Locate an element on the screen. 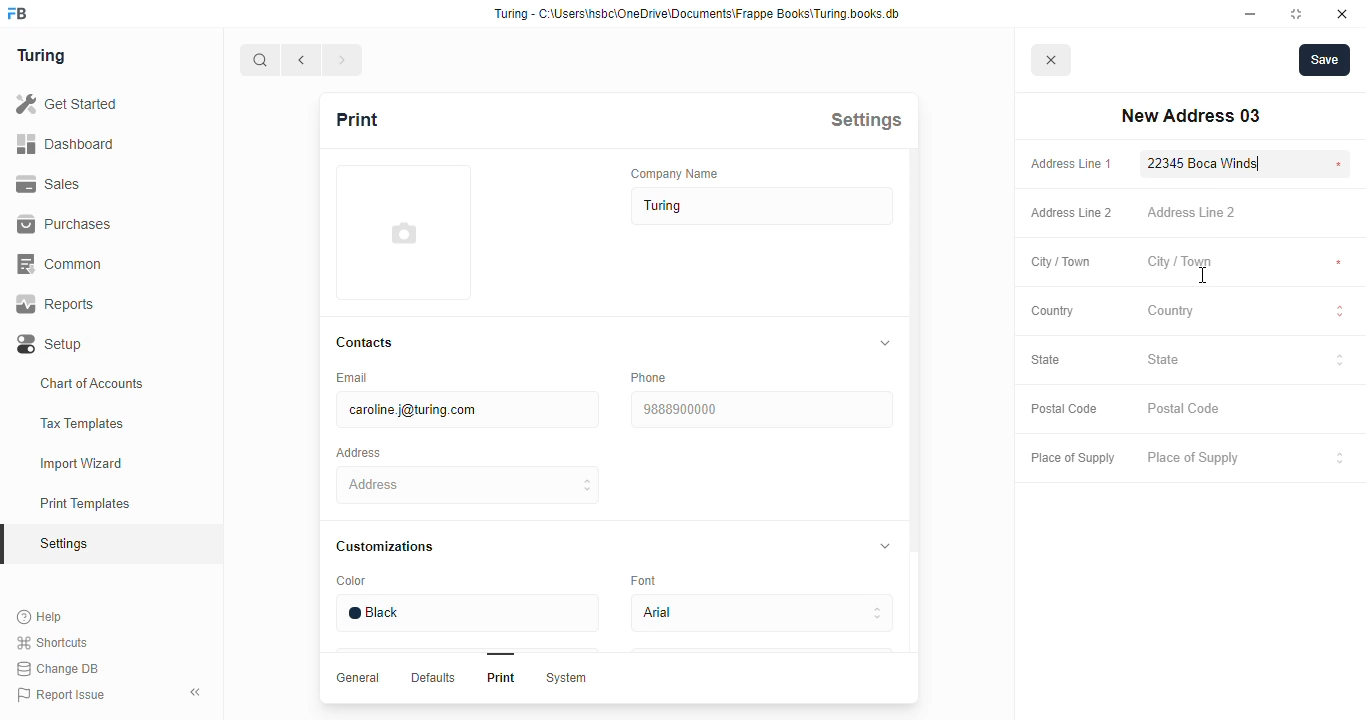 This screenshot has height=720, width=1366. import wizard is located at coordinates (82, 464).